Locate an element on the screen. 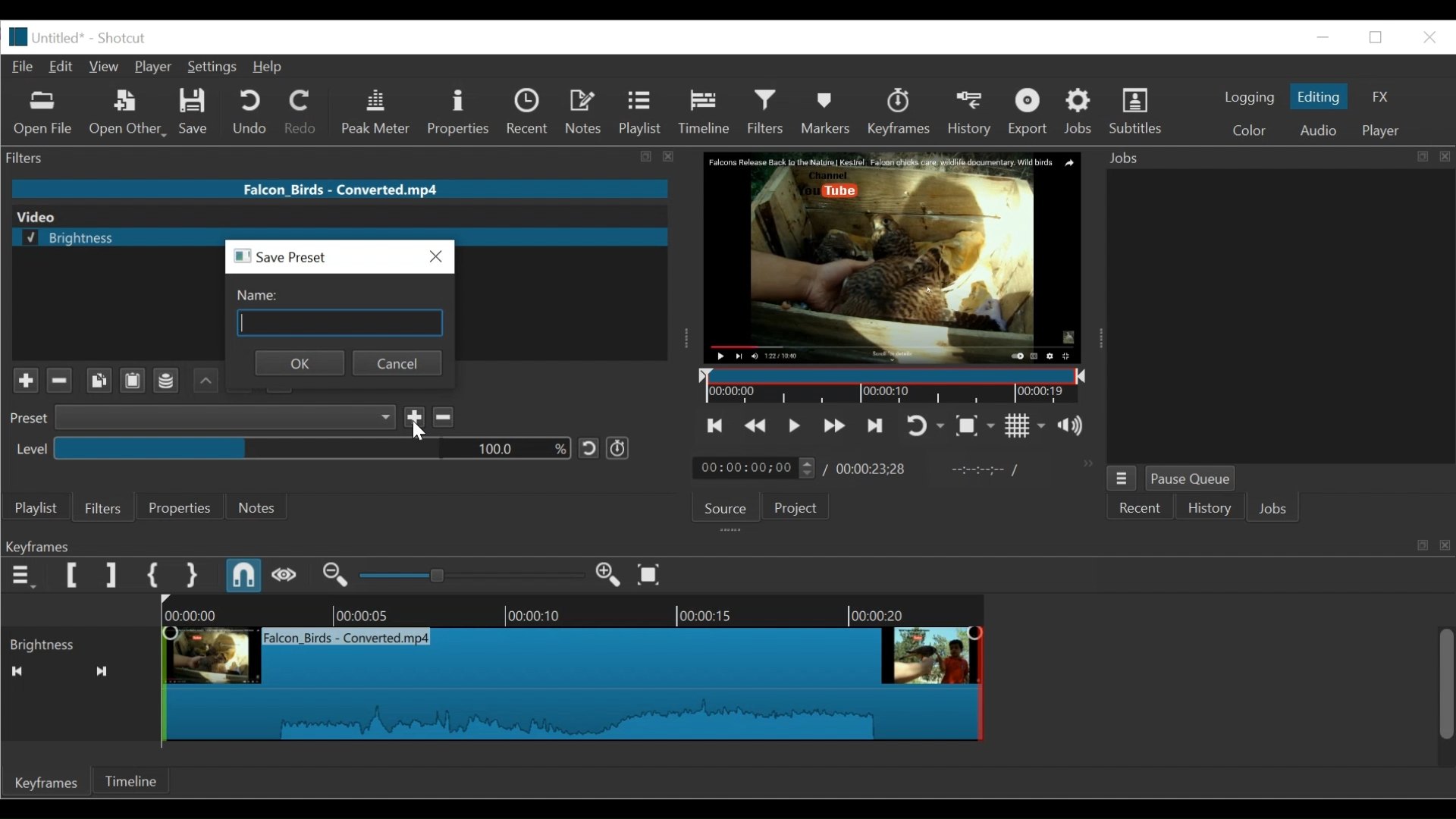 This screenshot has height=819, width=1456. Keyframes is located at coordinates (46, 782).